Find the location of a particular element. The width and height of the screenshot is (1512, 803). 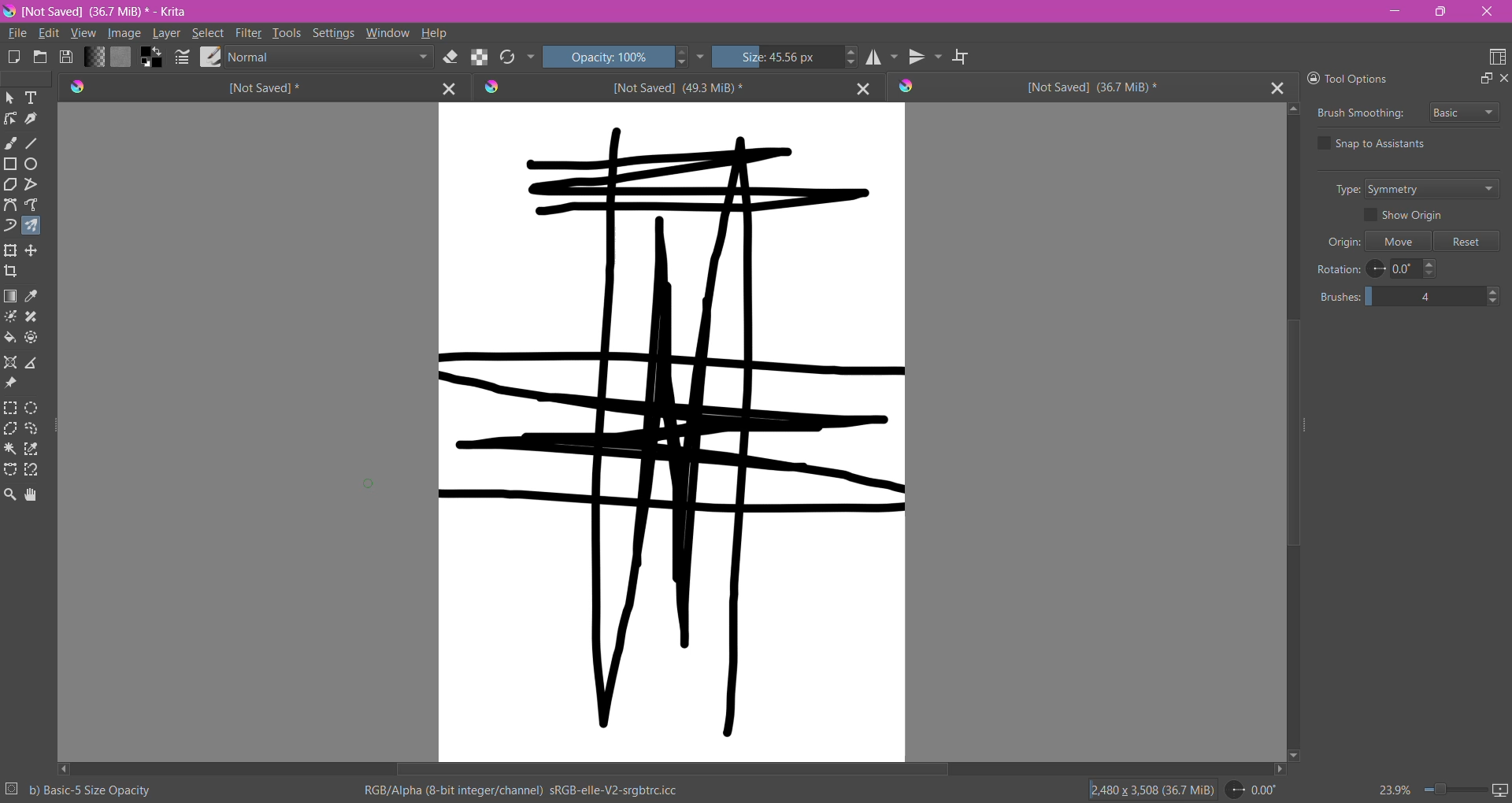

Polyline Tool is located at coordinates (31, 184).